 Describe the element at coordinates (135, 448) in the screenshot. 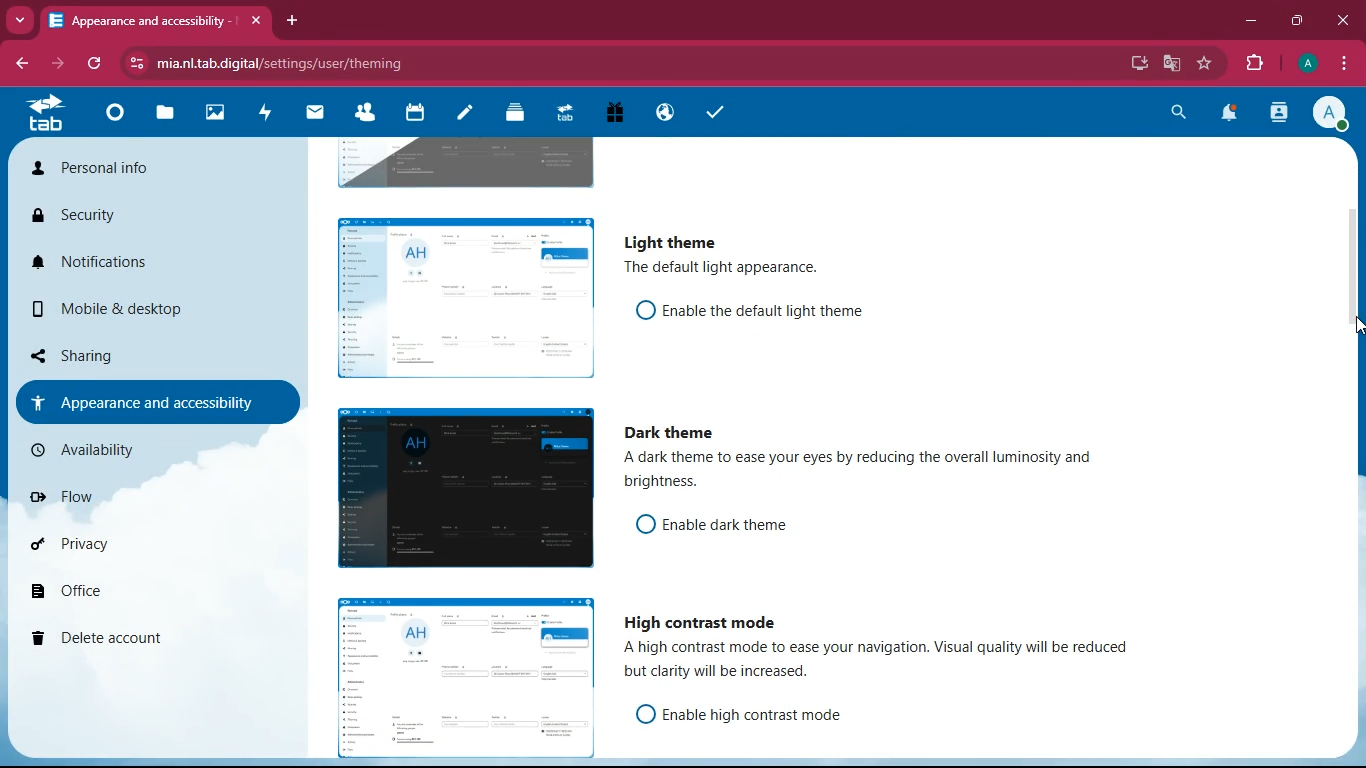

I see `availability` at that location.